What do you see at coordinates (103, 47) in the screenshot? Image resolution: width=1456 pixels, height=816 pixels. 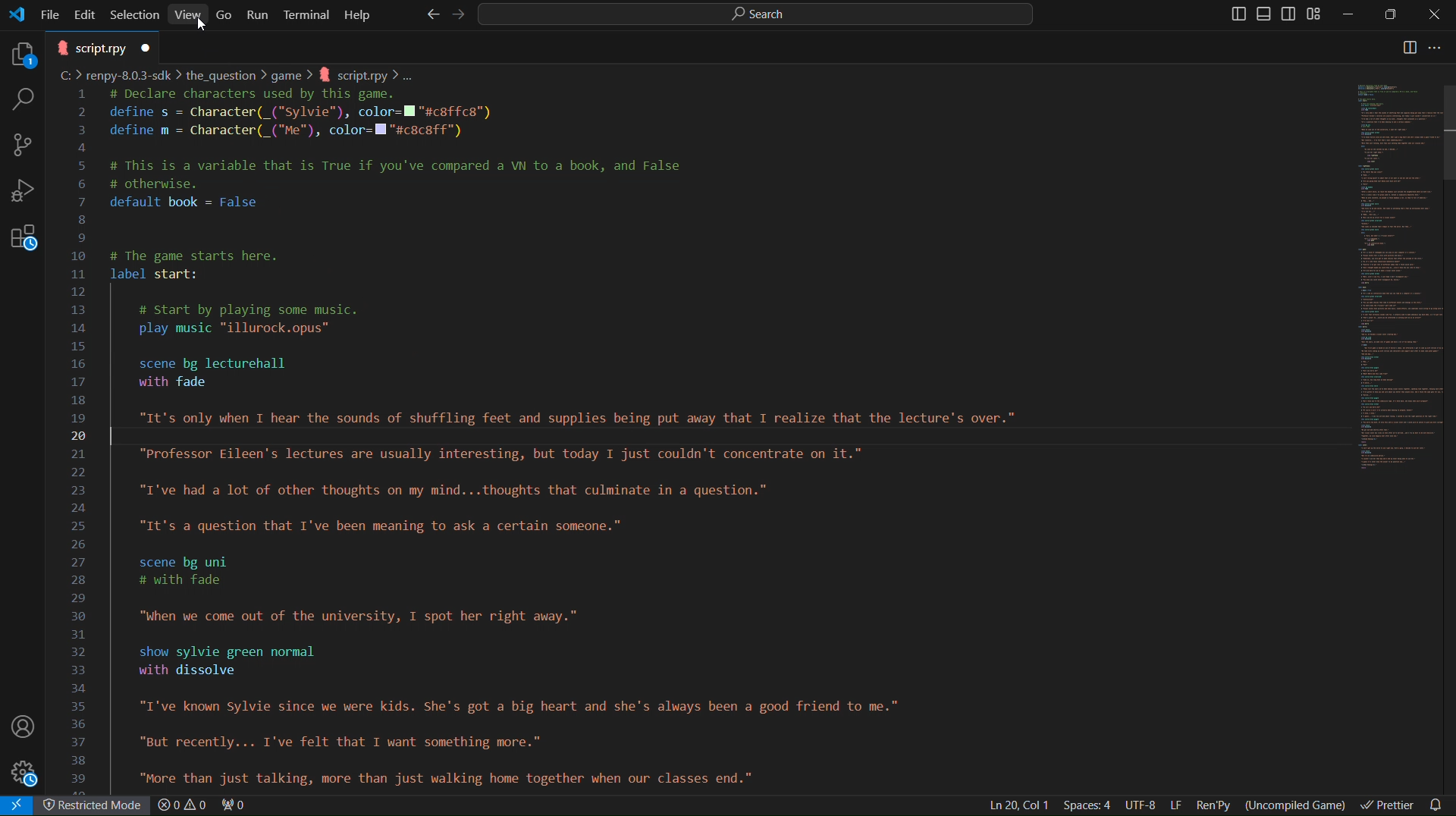 I see `script.rpy` at bounding box center [103, 47].